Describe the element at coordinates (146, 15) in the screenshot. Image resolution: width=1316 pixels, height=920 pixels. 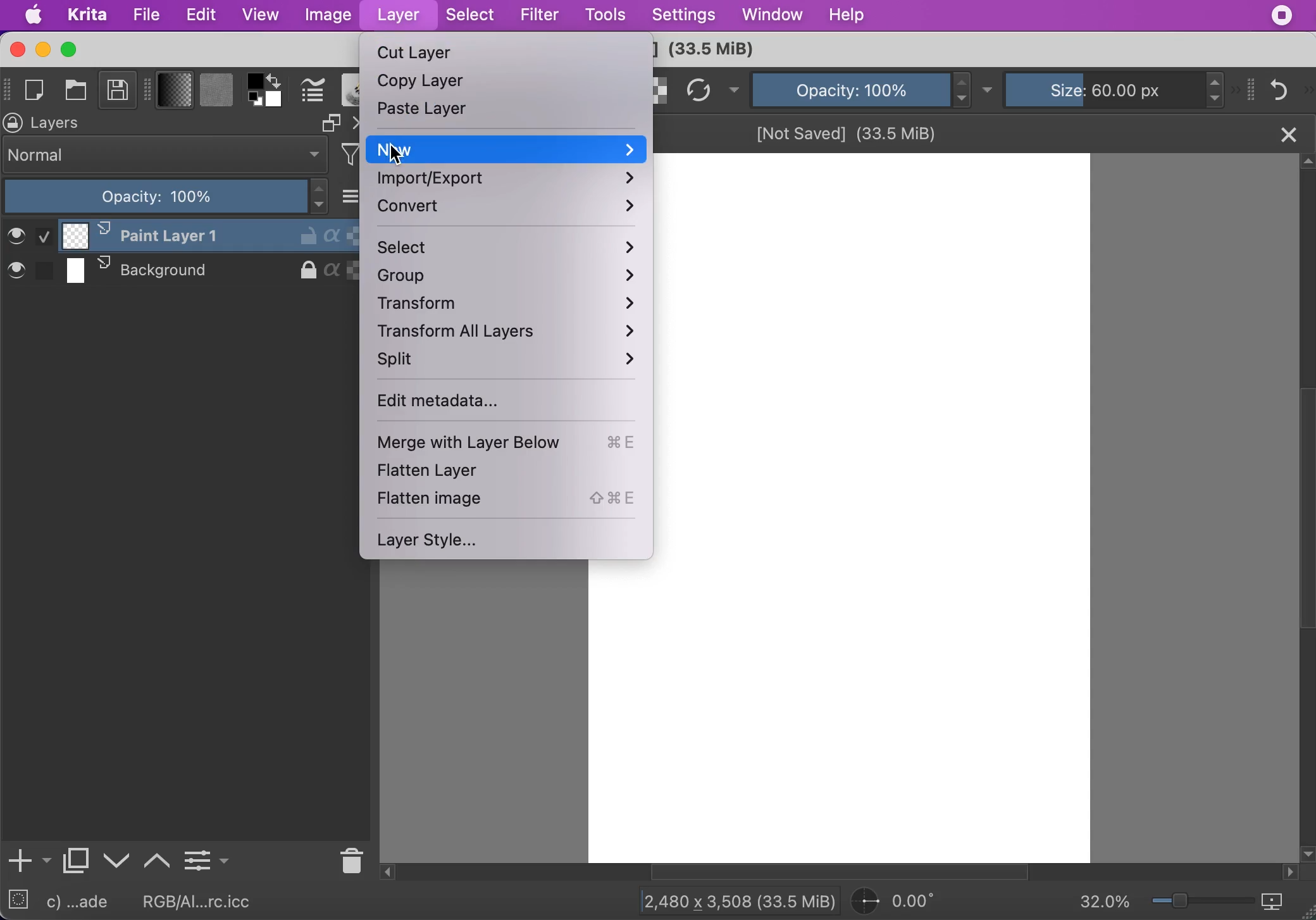
I see `file` at that location.